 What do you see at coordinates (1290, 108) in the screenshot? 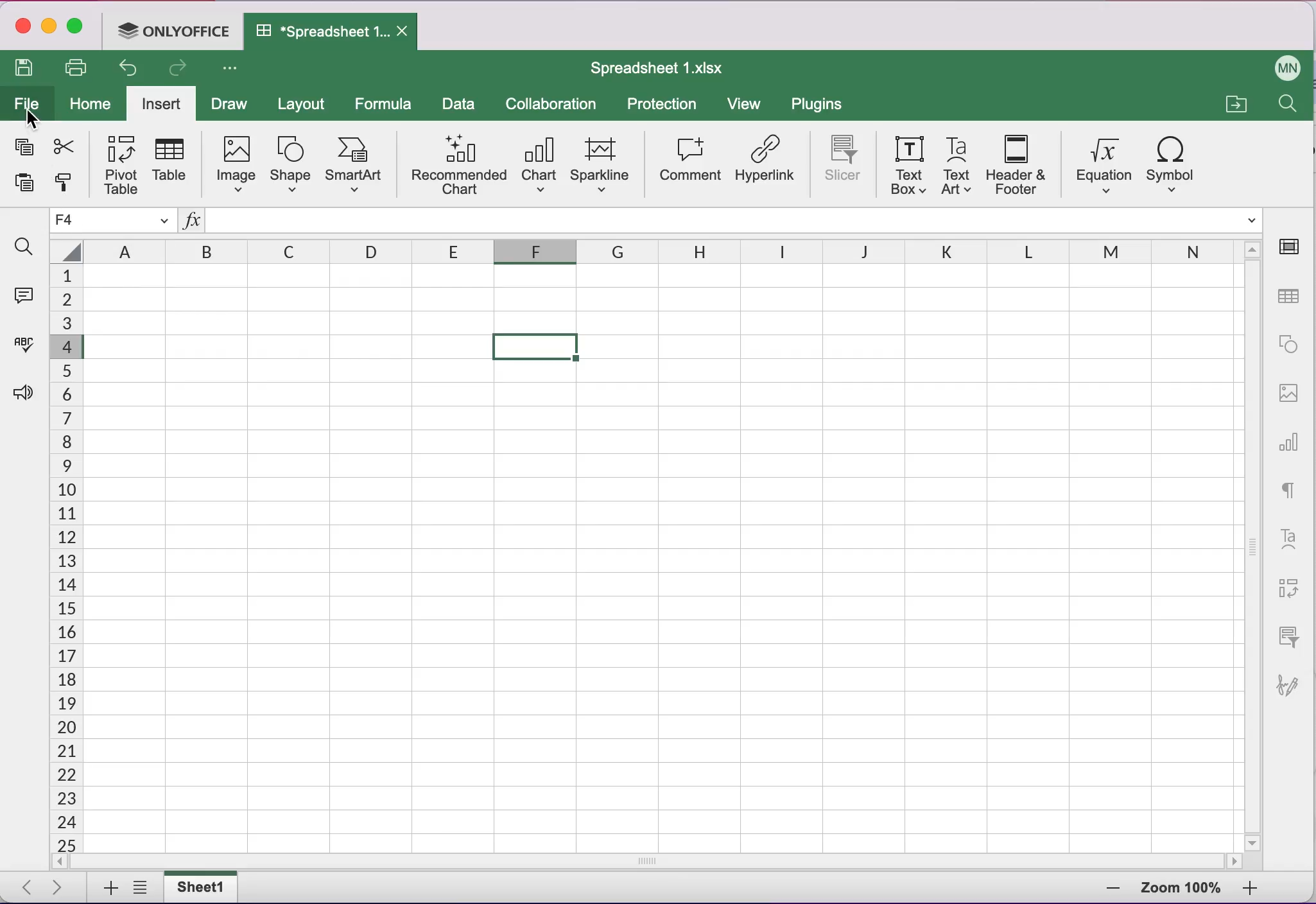
I see `find` at bounding box center [1290, 108].